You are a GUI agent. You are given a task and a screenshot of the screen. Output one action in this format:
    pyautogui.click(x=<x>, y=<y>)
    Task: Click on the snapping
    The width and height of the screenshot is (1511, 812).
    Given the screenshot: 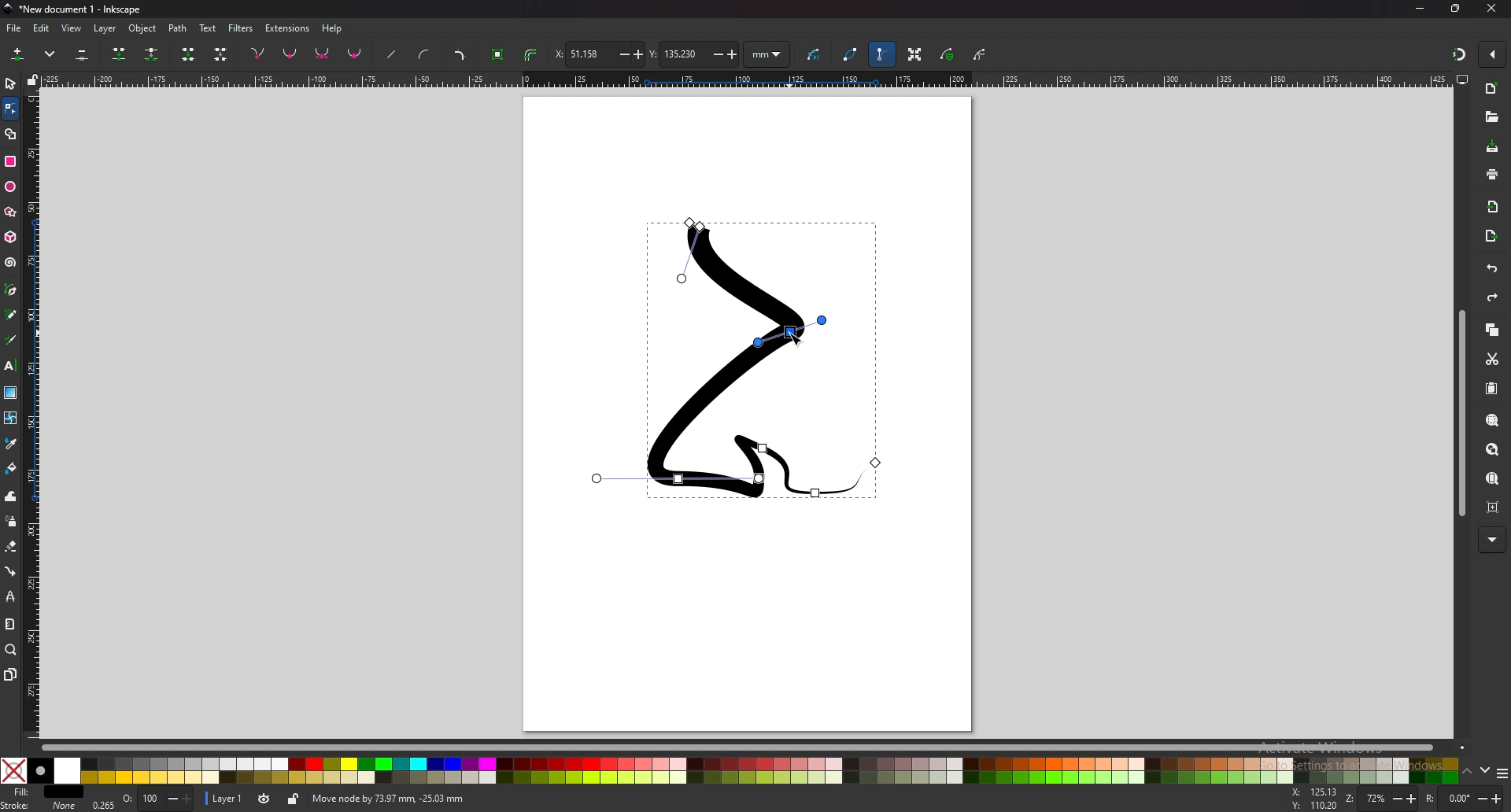 What is the action you would take?
    pyautogui.click(x=1457, y=52)
    